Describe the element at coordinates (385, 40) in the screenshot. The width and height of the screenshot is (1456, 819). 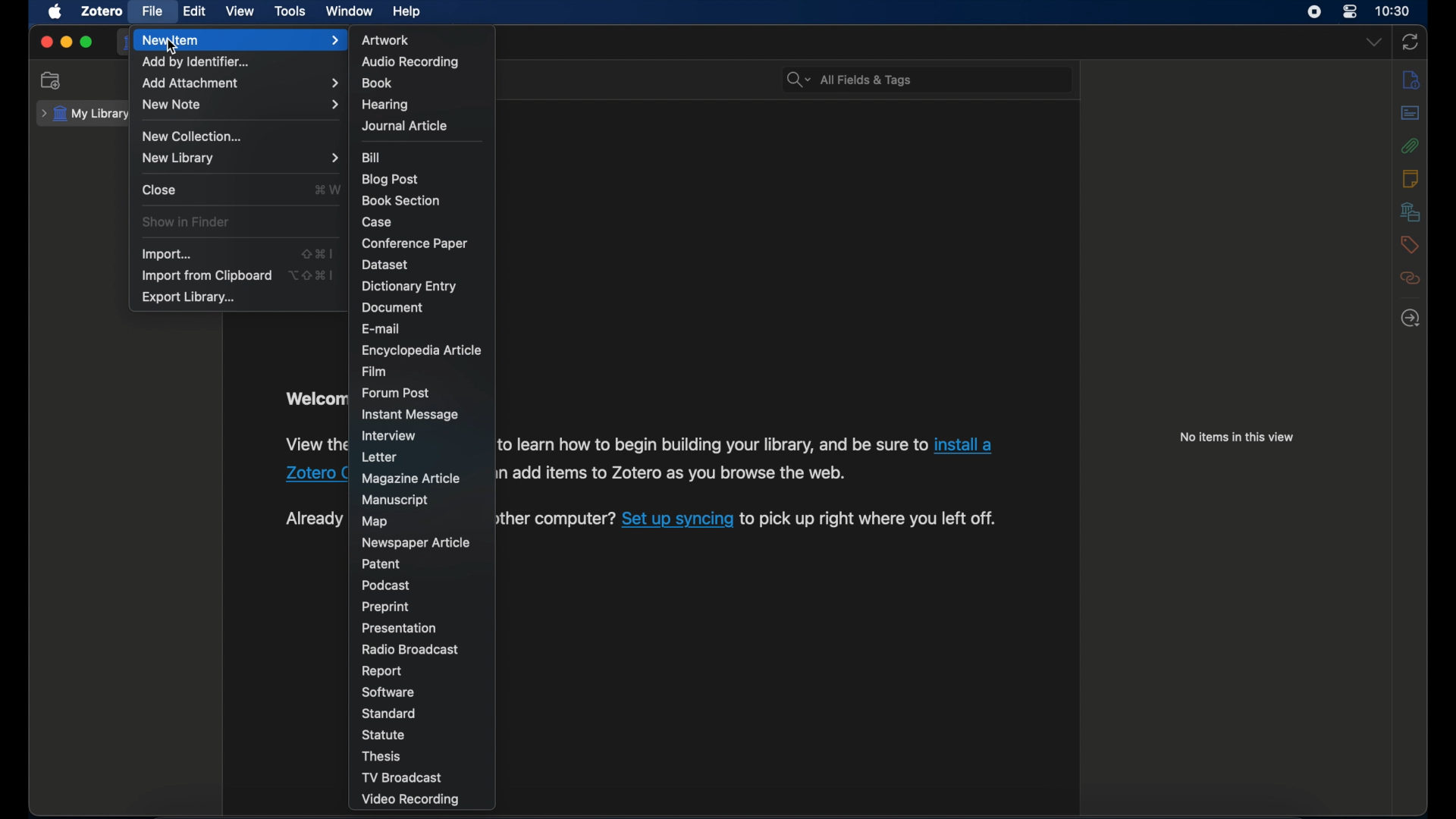
I see `artwork` at that location.